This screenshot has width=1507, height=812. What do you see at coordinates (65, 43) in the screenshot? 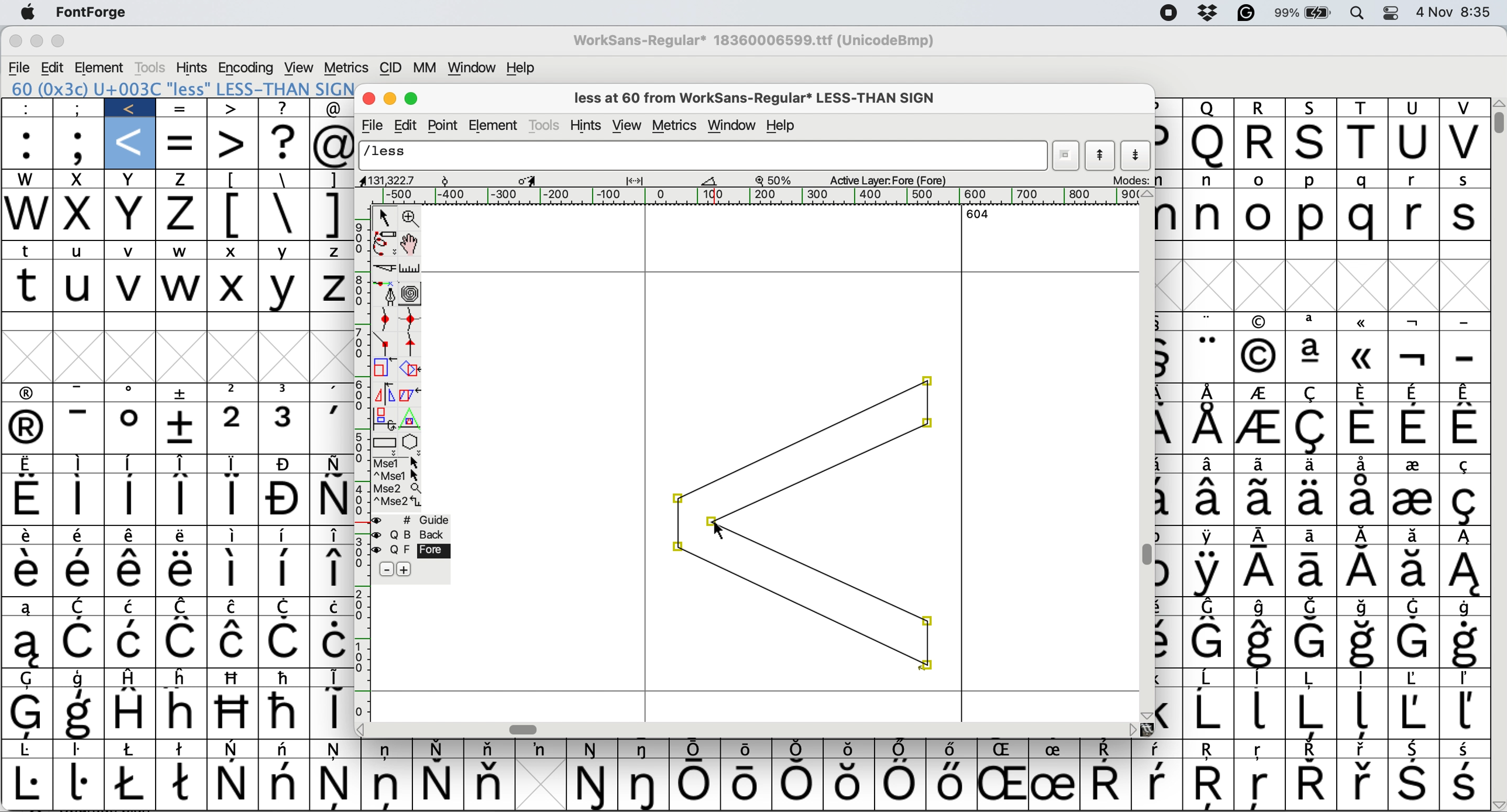
I see `maximise` at bounding box center [65, 43].